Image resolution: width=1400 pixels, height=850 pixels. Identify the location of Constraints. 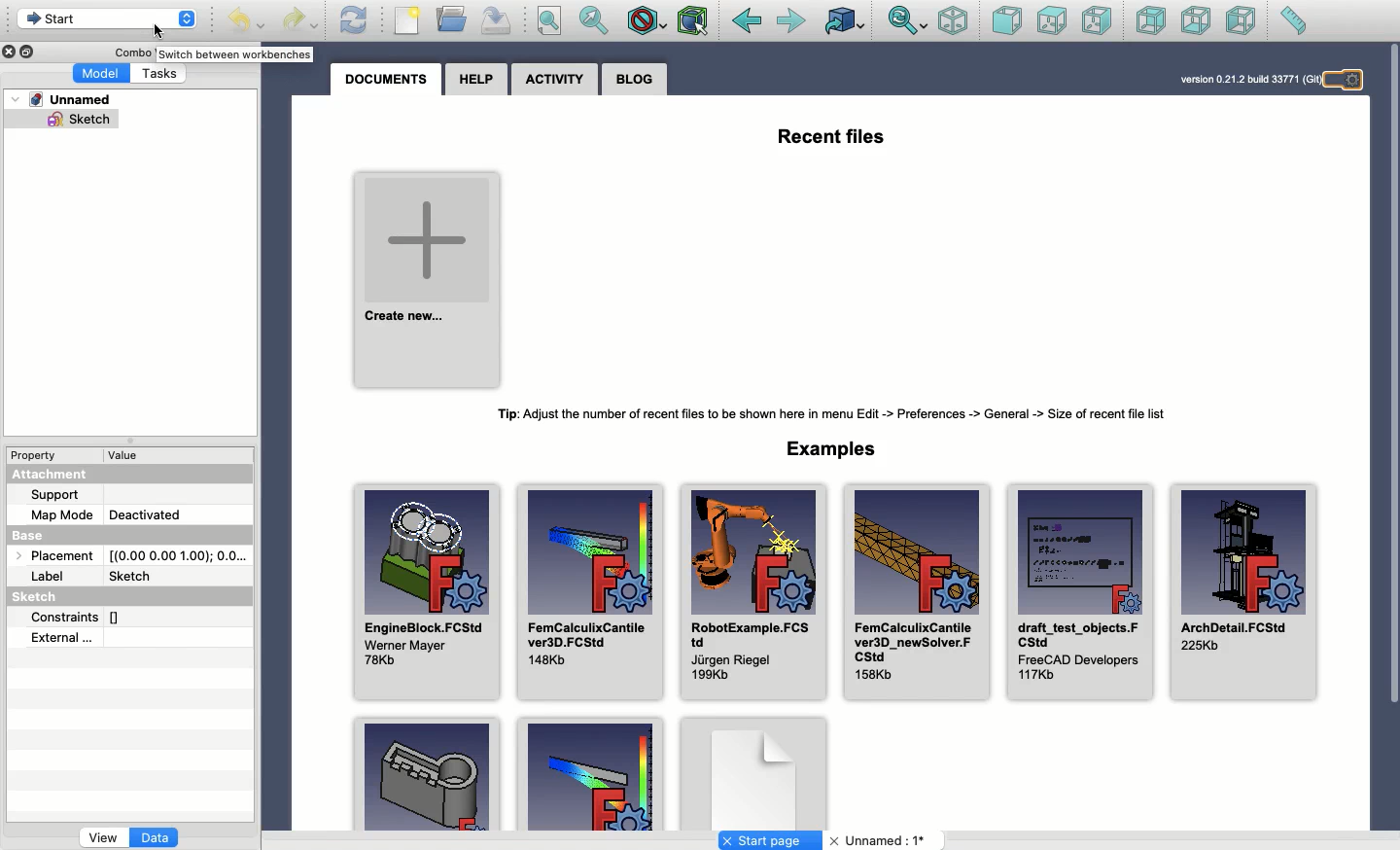
(77, 619).